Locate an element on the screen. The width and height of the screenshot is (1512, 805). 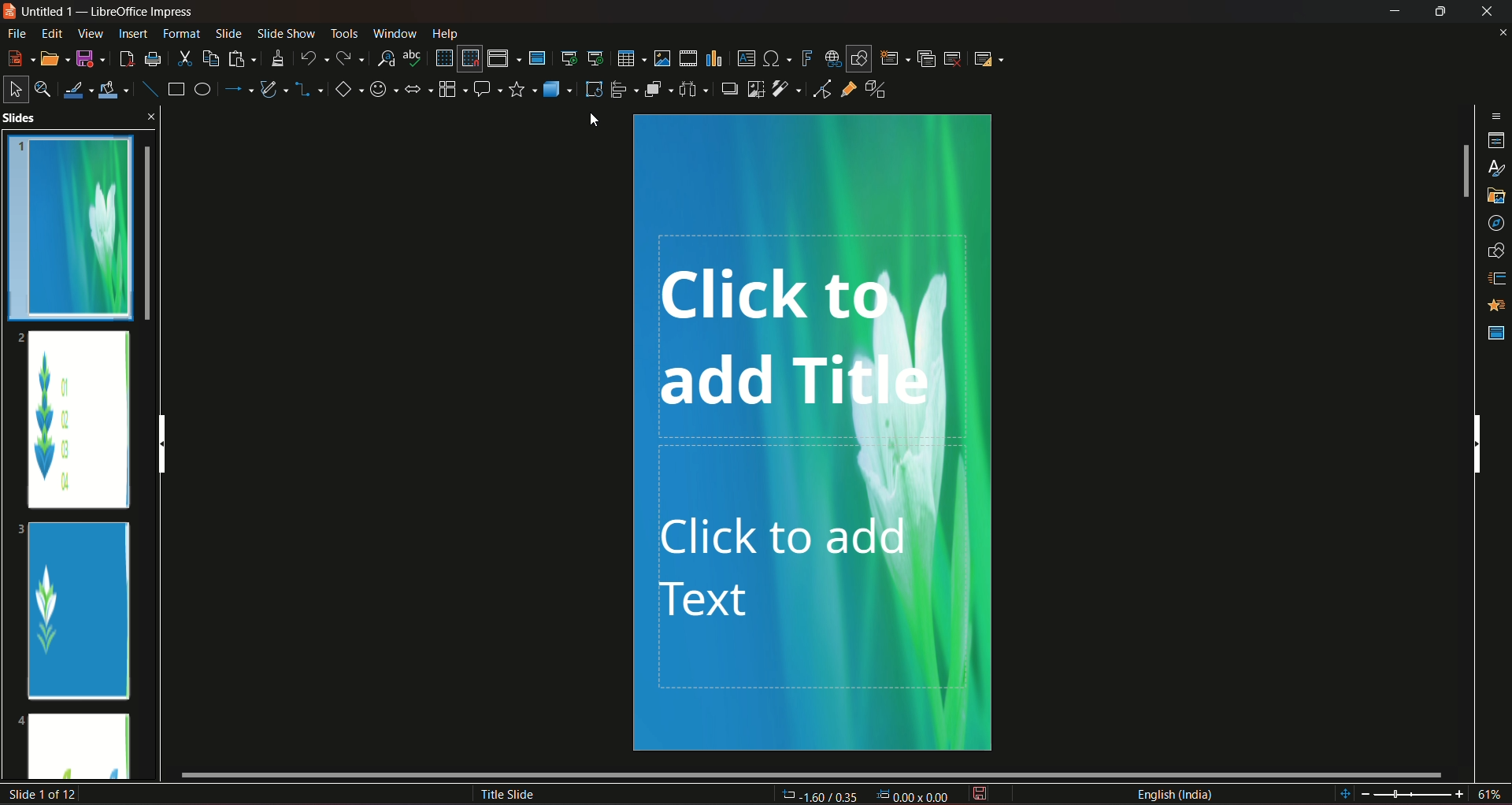
shadow is located at coordinates (729, 89).